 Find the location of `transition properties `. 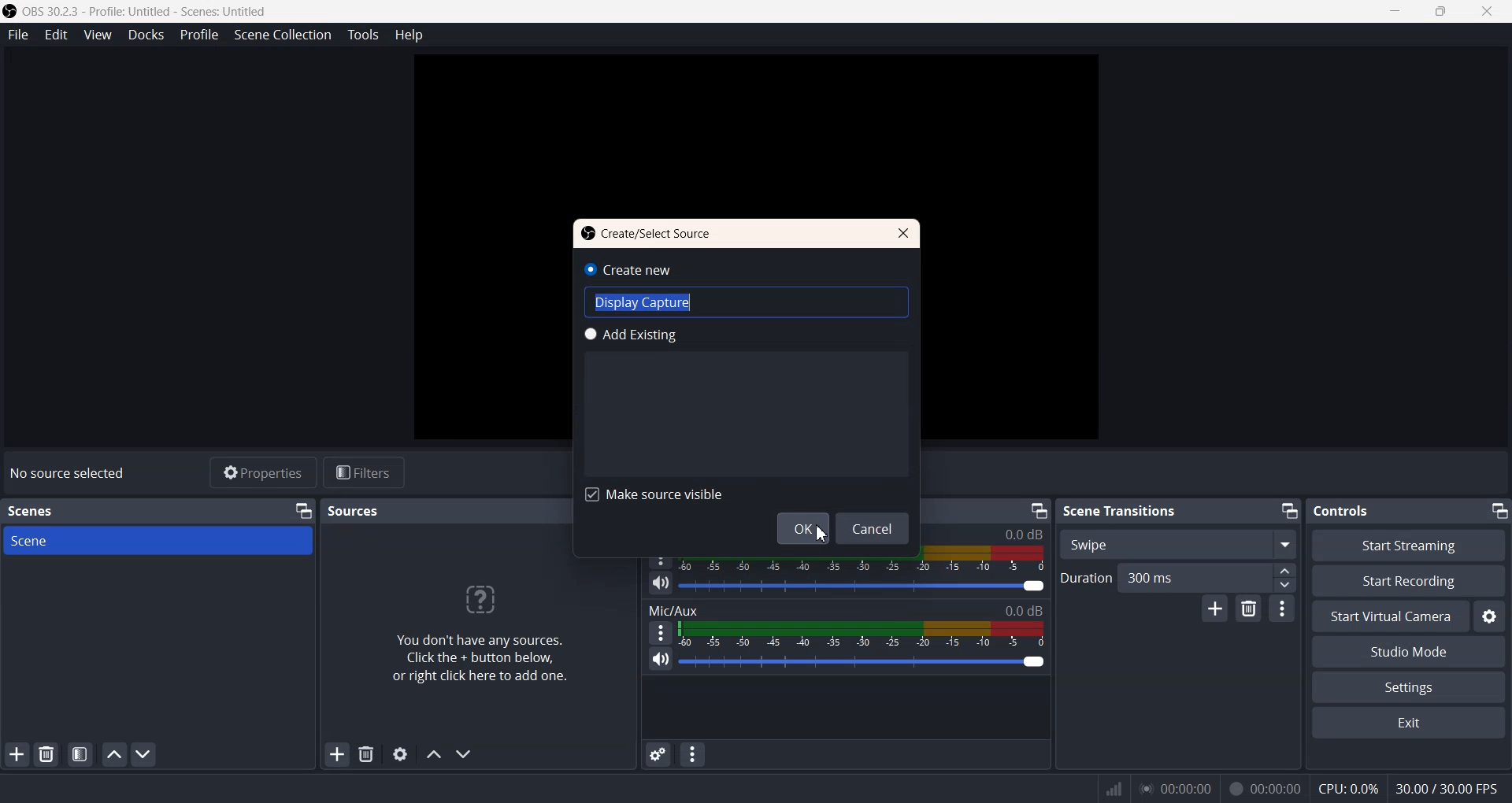

transition properties  is located at coordinates (1282, 609).